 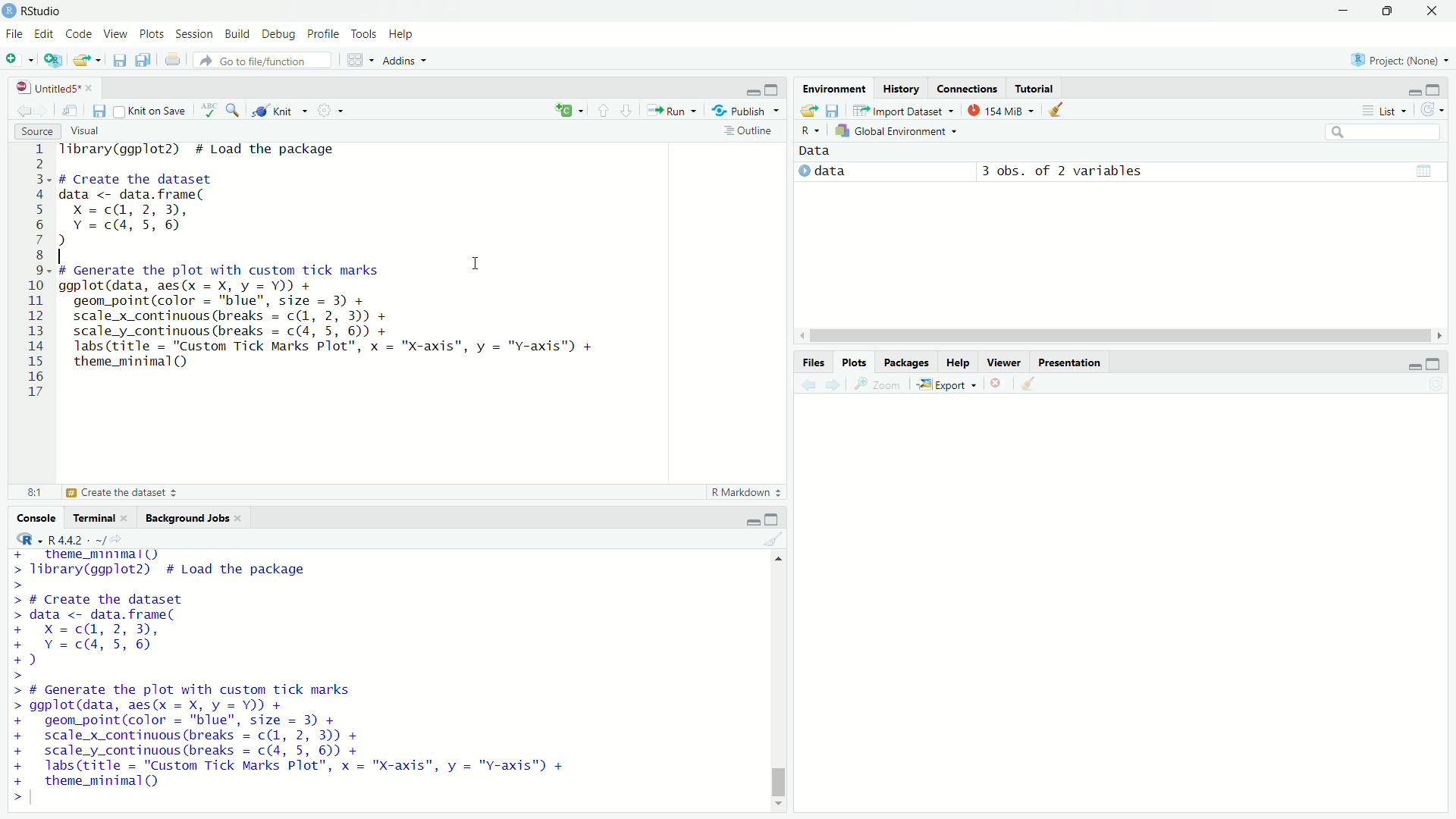 What do you see at coordinates (120, 60) in the screenshot?
I see `save current document` at bounding box center [120, 60].